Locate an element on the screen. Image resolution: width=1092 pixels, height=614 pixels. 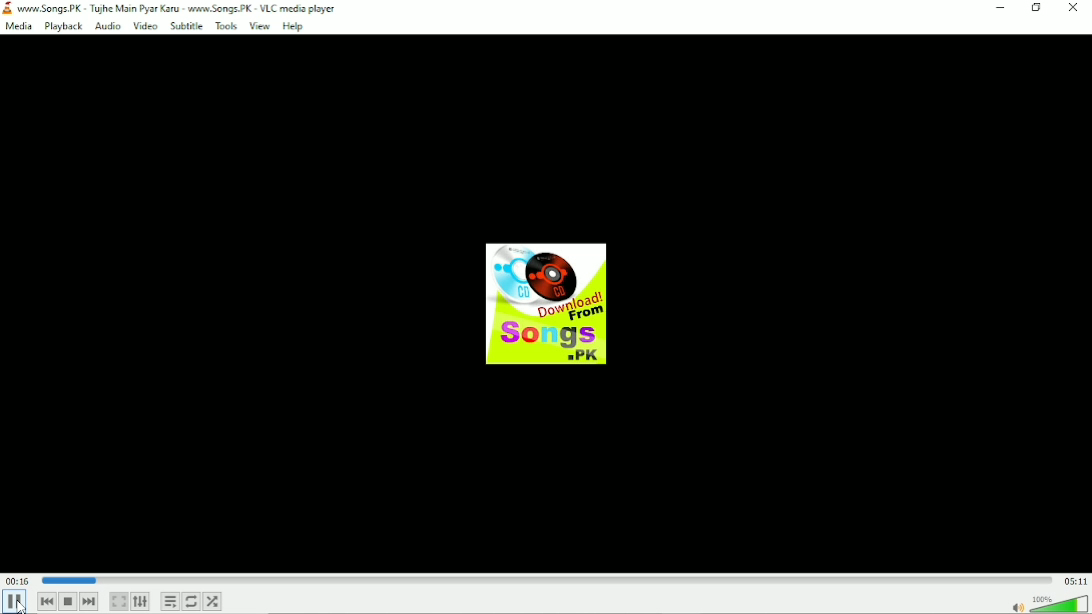
Playback is located at coordinates (61, 26).